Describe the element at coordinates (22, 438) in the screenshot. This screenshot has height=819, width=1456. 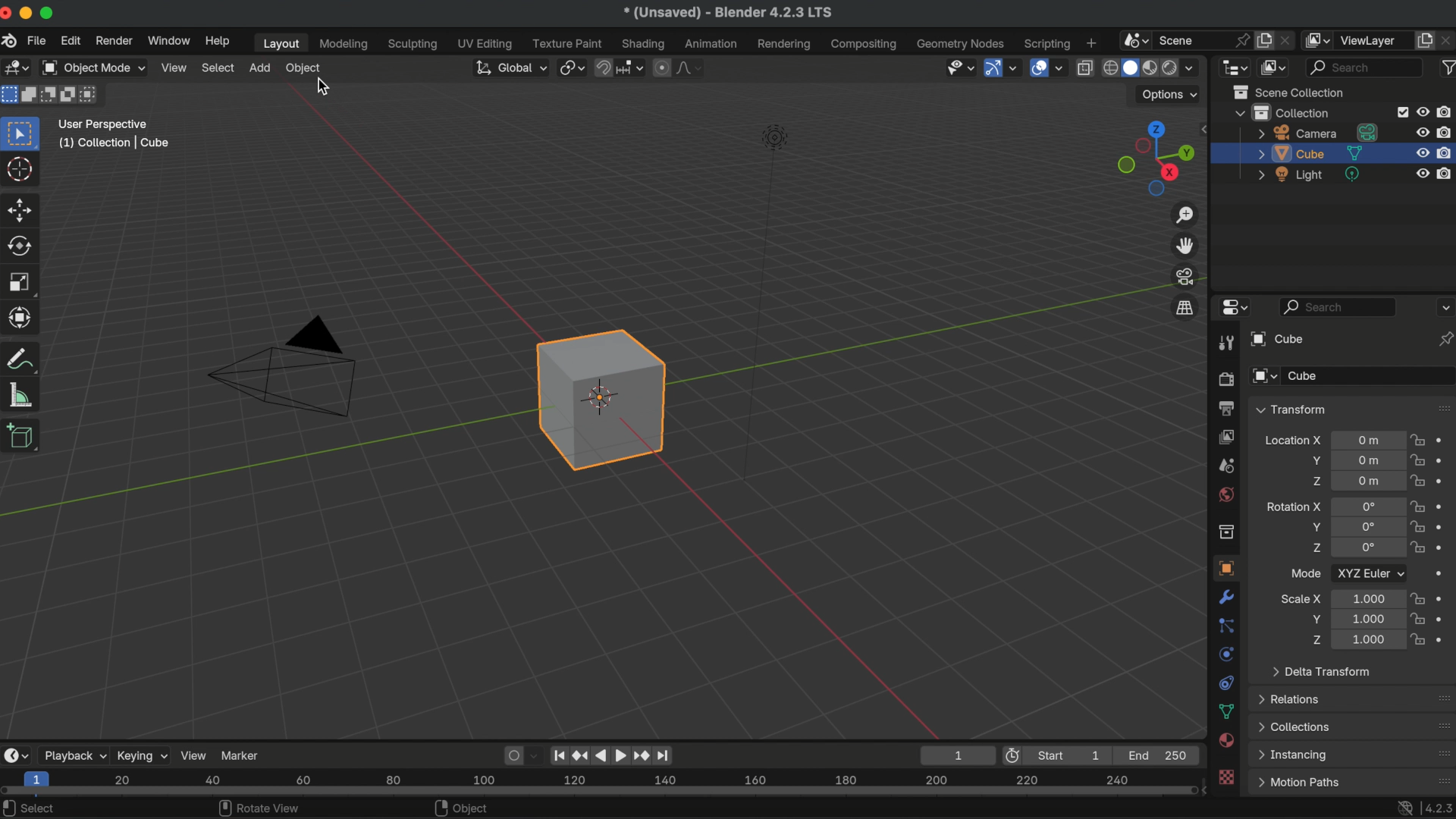
I see `add cube` at that location.